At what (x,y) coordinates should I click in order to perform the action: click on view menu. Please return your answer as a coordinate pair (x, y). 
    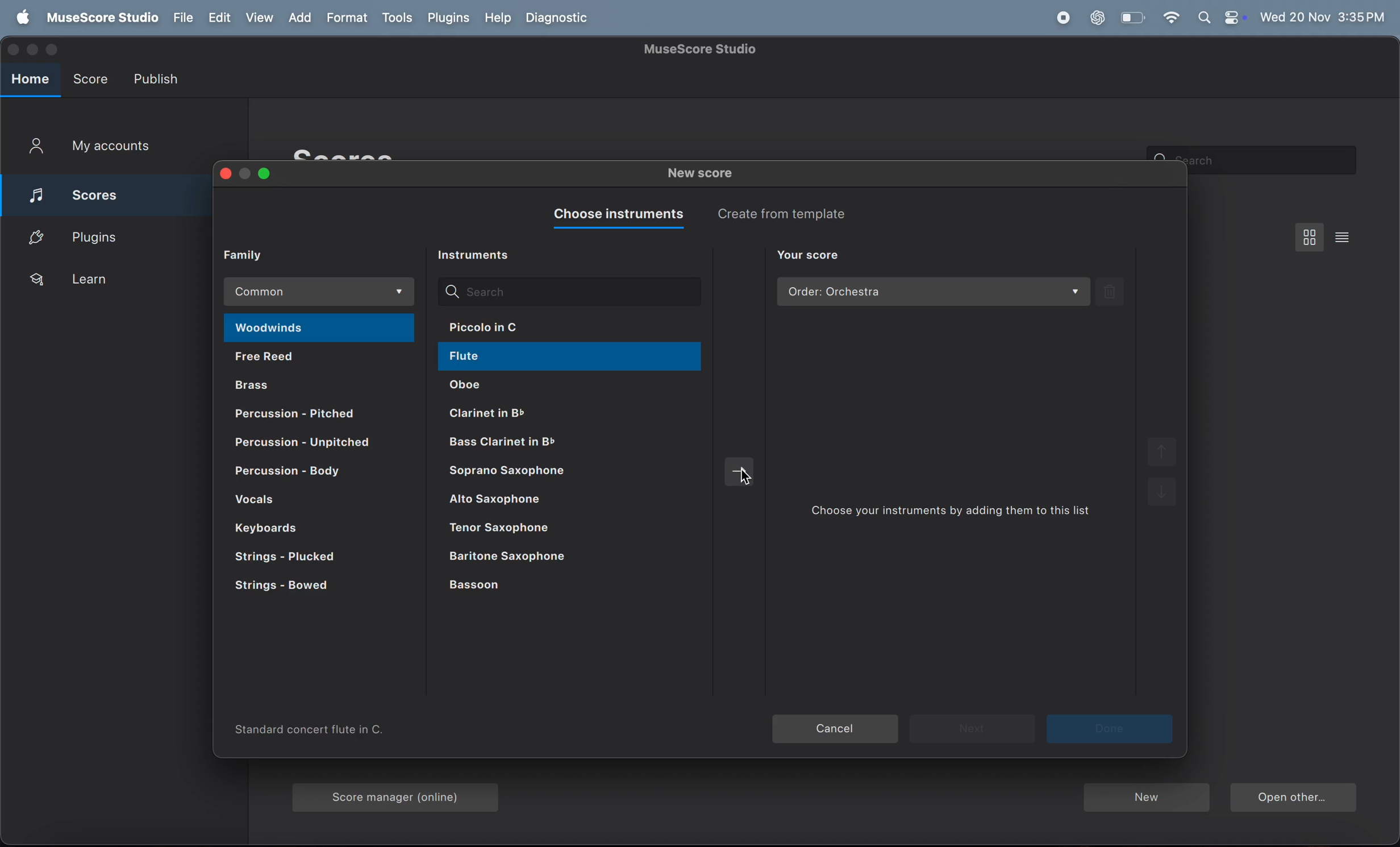
    Looking at the image, I should click on (1310, 236).